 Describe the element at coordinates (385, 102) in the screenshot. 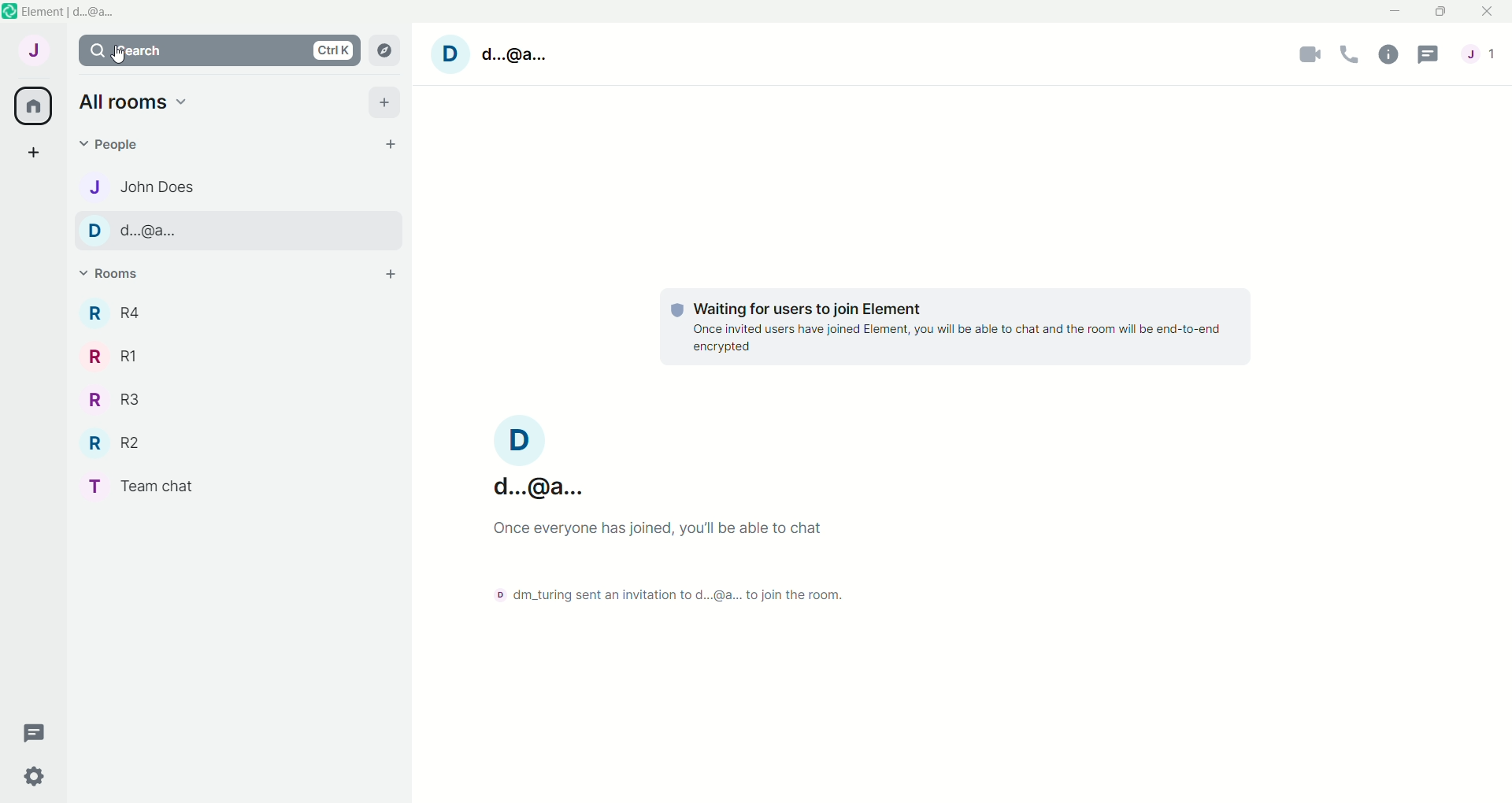

I see `add` at that location.